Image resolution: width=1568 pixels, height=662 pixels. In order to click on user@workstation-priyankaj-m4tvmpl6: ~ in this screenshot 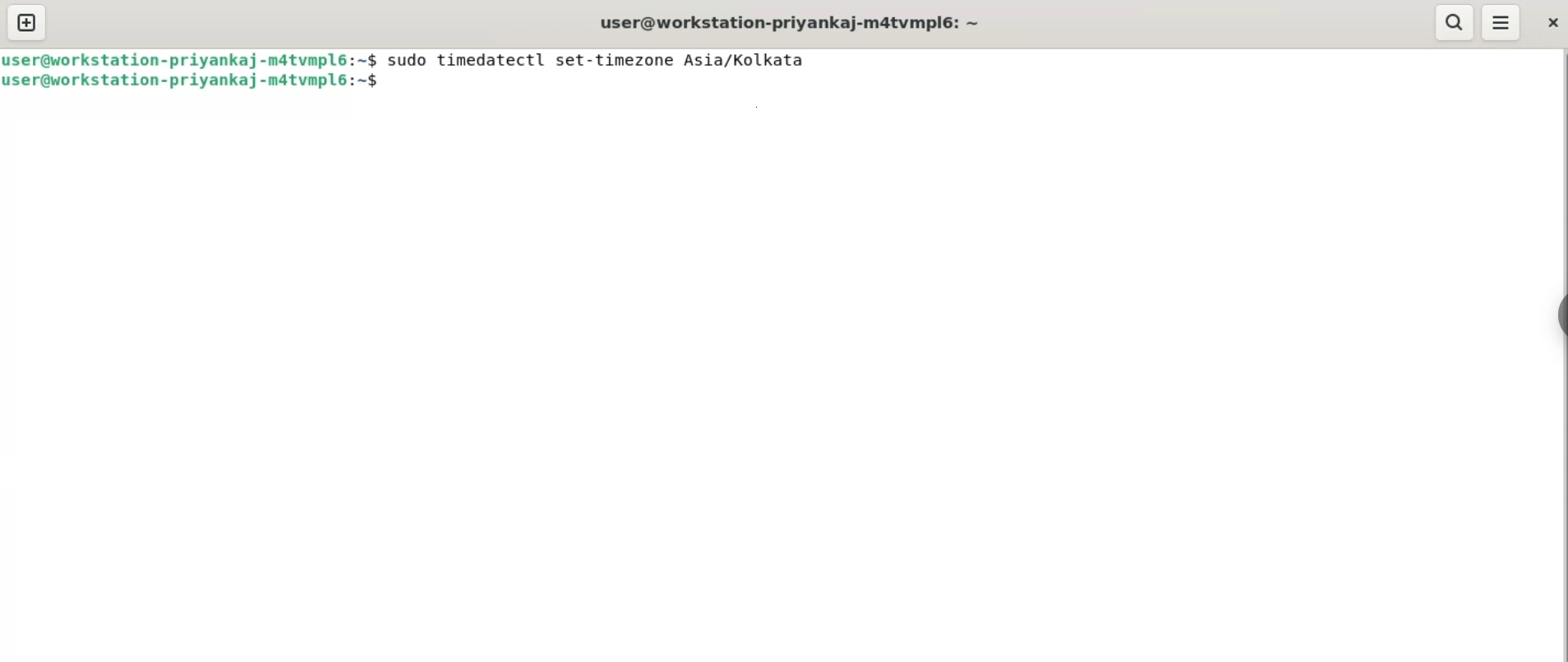, I will do `click(790, 23)`.